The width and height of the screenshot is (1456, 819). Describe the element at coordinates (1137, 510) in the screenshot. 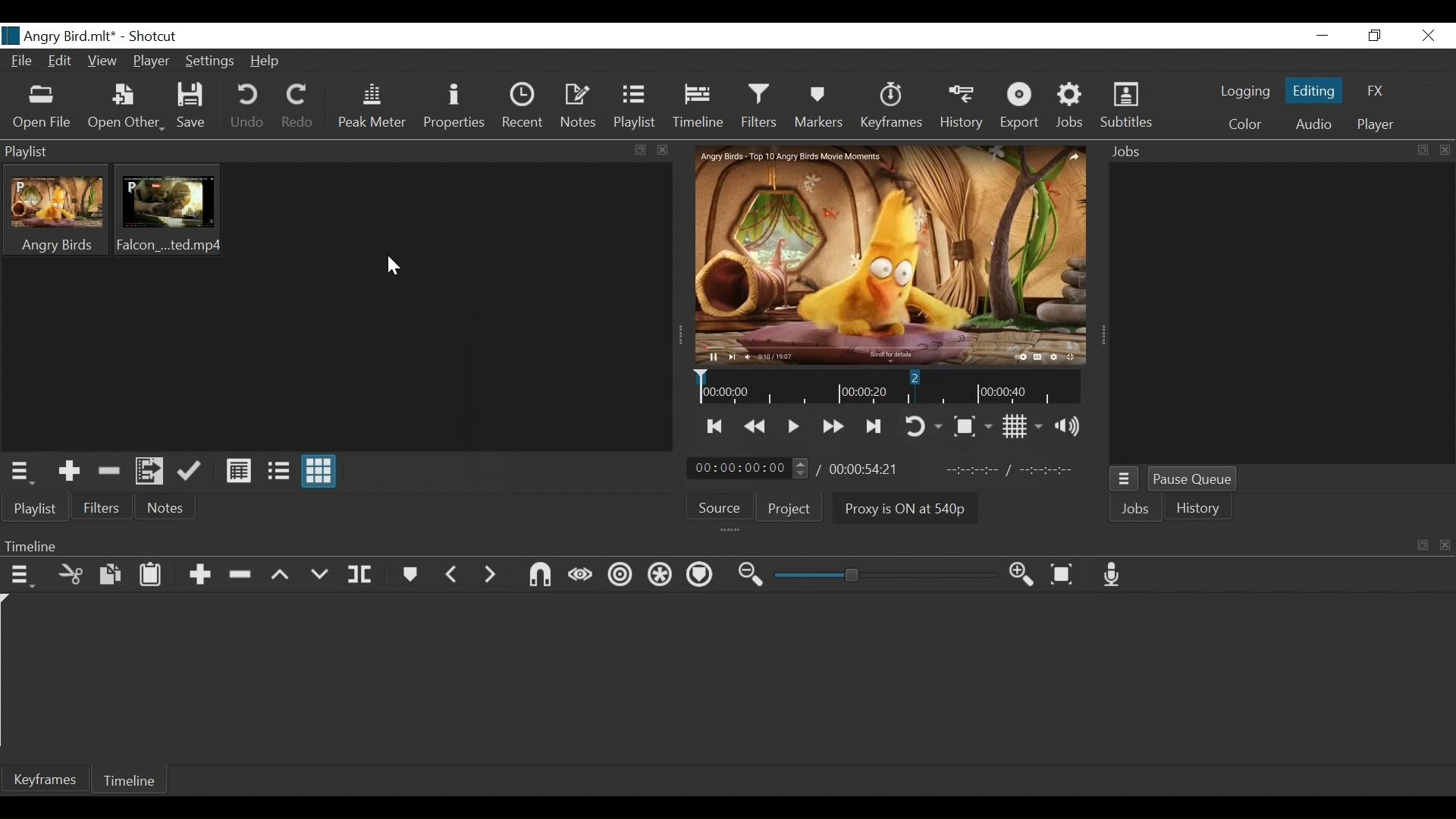

I see `Jobs` at that location.